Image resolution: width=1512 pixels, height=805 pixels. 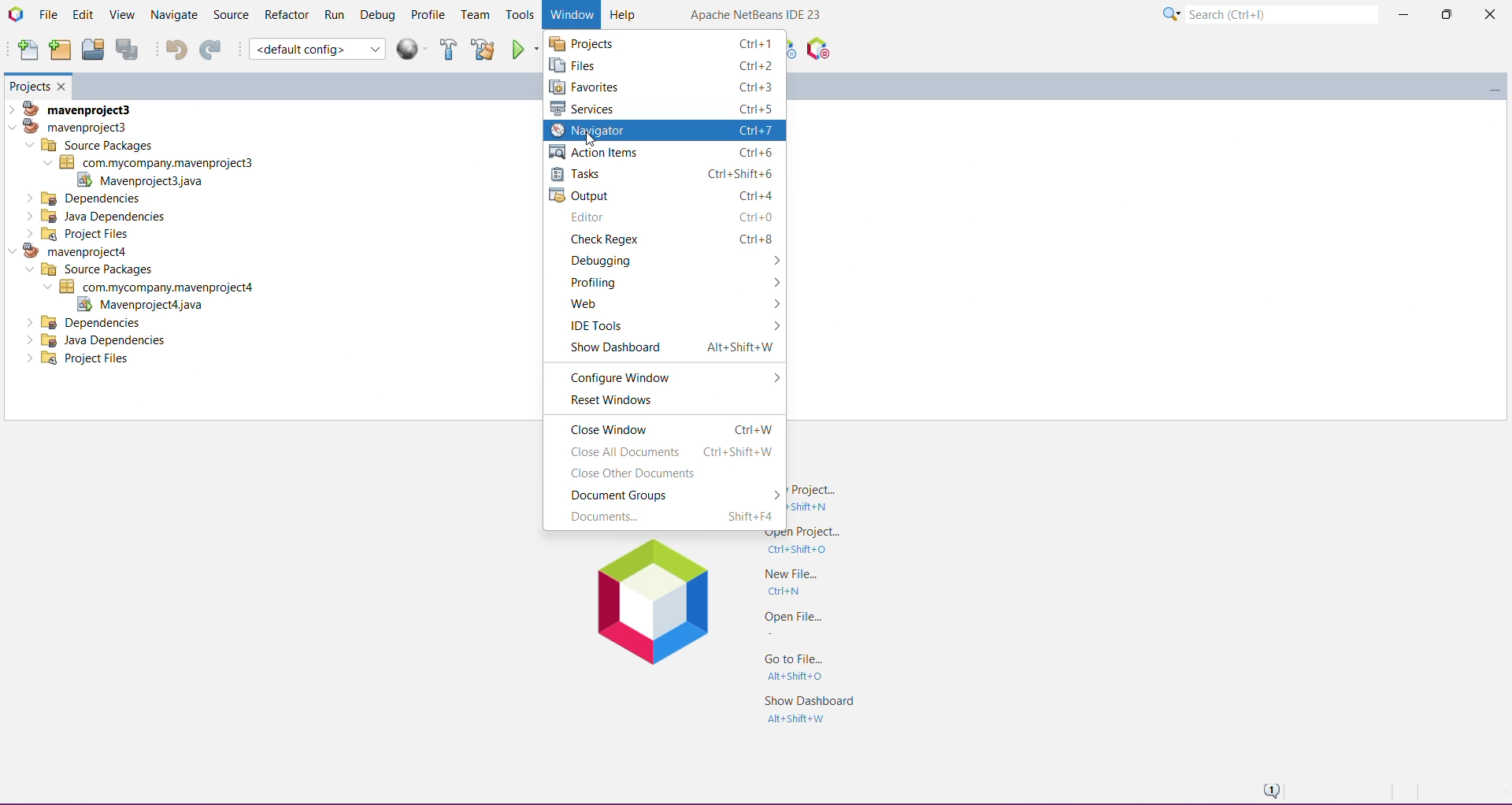 What do you see at coordinates (525, 49) in the screenshot?
I see `Run Main Project` at bounding box center [525, 49].